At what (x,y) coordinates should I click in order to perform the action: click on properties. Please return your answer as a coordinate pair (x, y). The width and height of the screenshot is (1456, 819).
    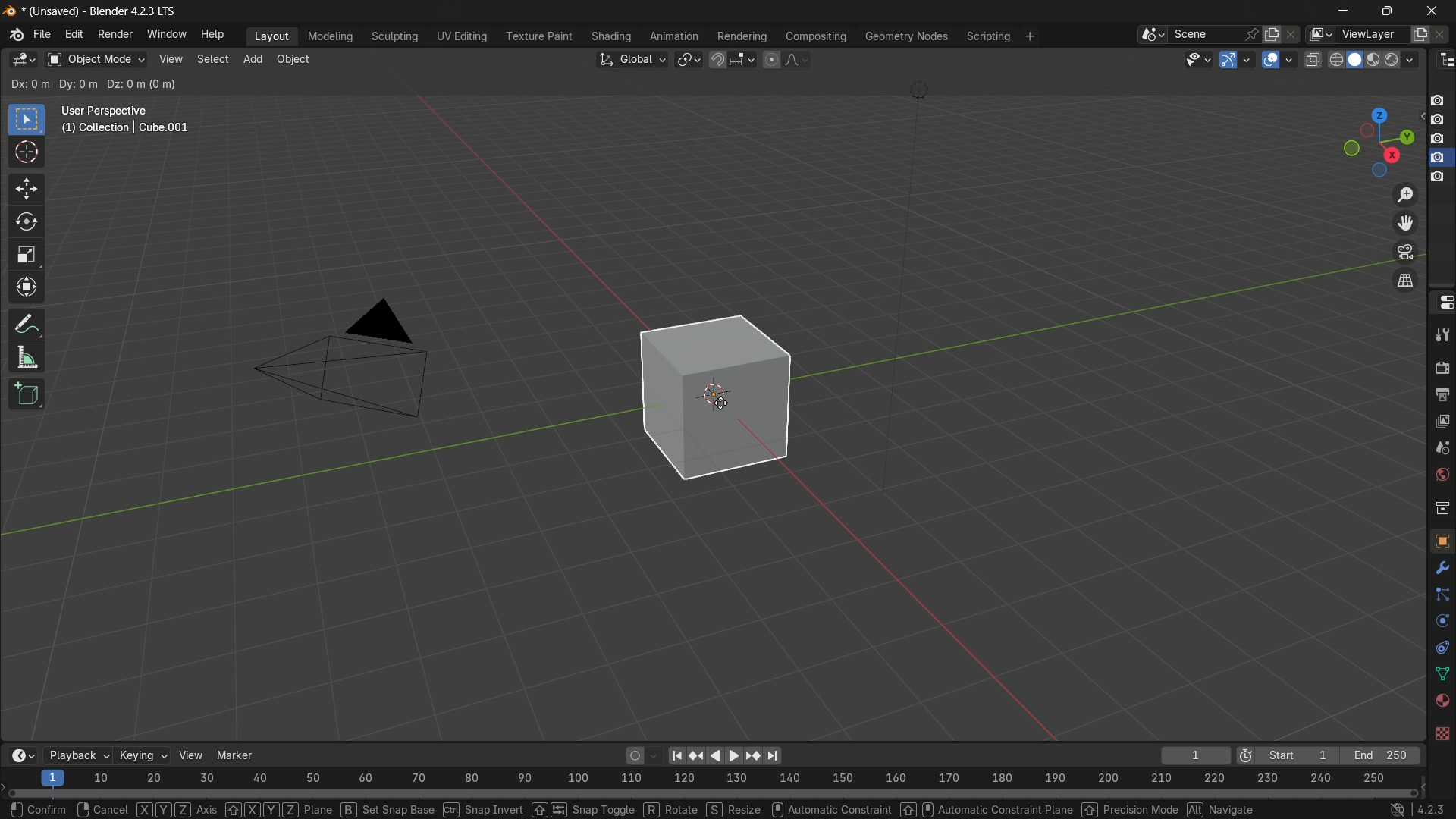
    Looking at the image, I should click on (1443, 303).